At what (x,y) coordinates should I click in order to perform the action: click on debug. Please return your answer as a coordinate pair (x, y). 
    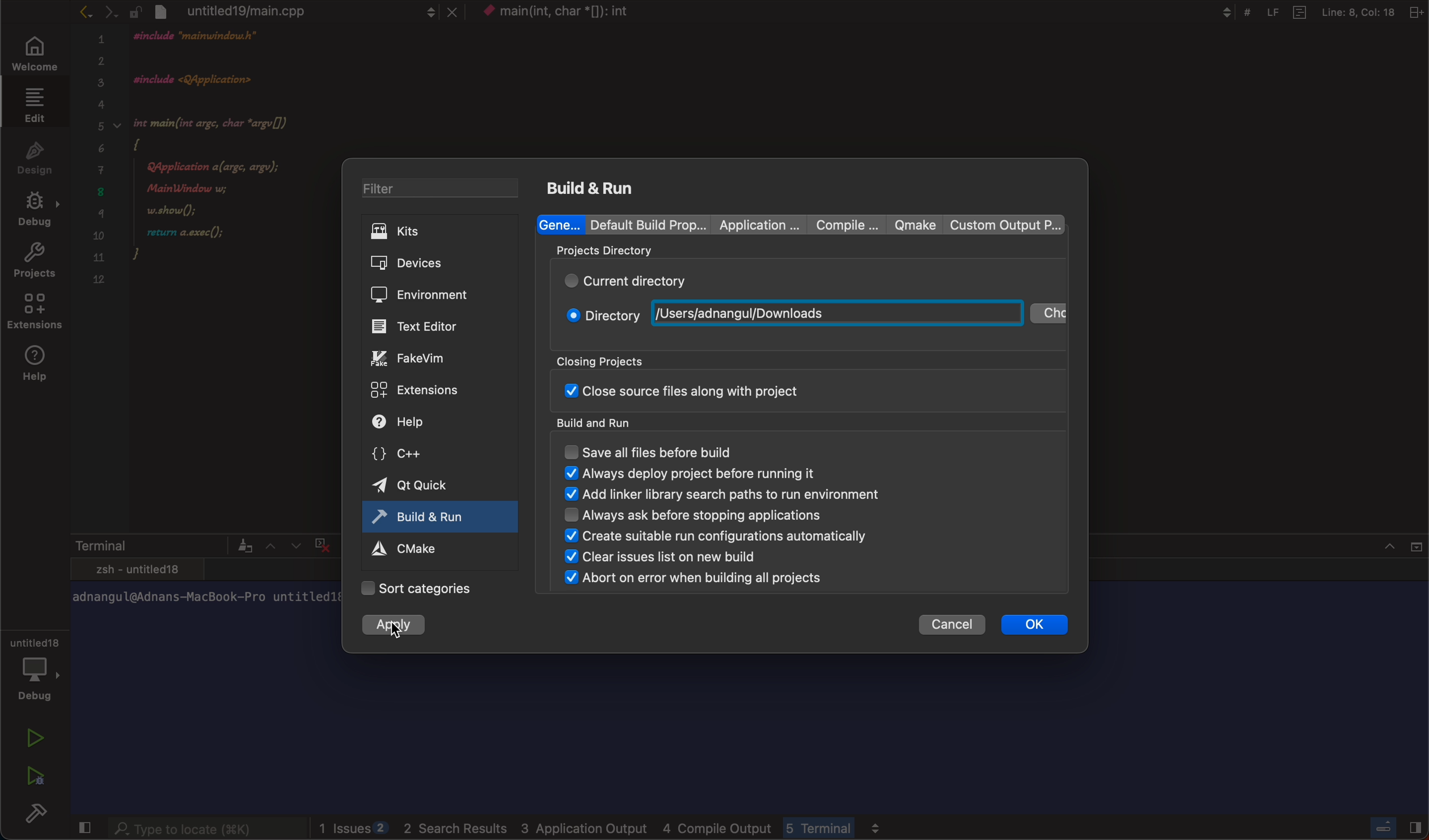
    Looking at the image, I should click on (39, 668).